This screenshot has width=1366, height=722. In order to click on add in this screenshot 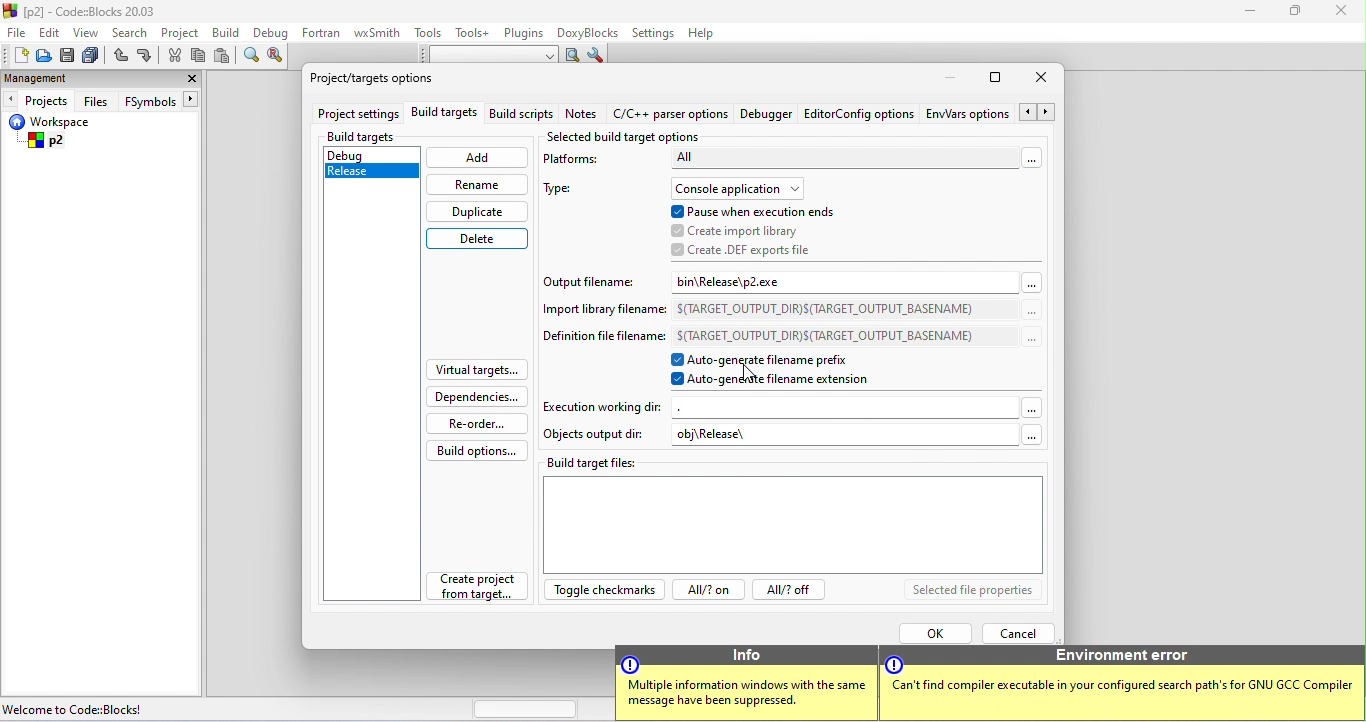, I will do `click(477, 160)`.